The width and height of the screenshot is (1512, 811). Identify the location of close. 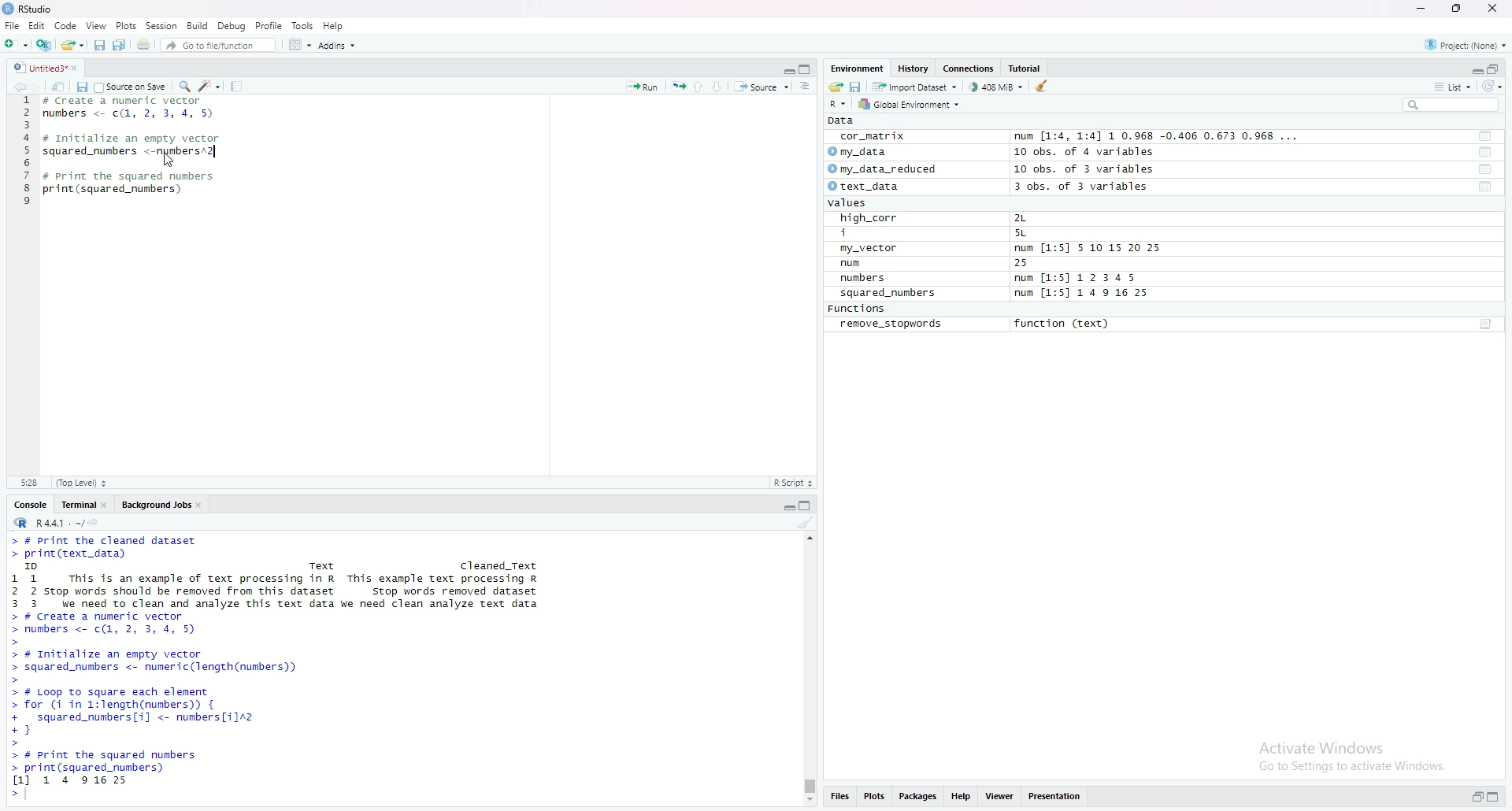
(80, 67).